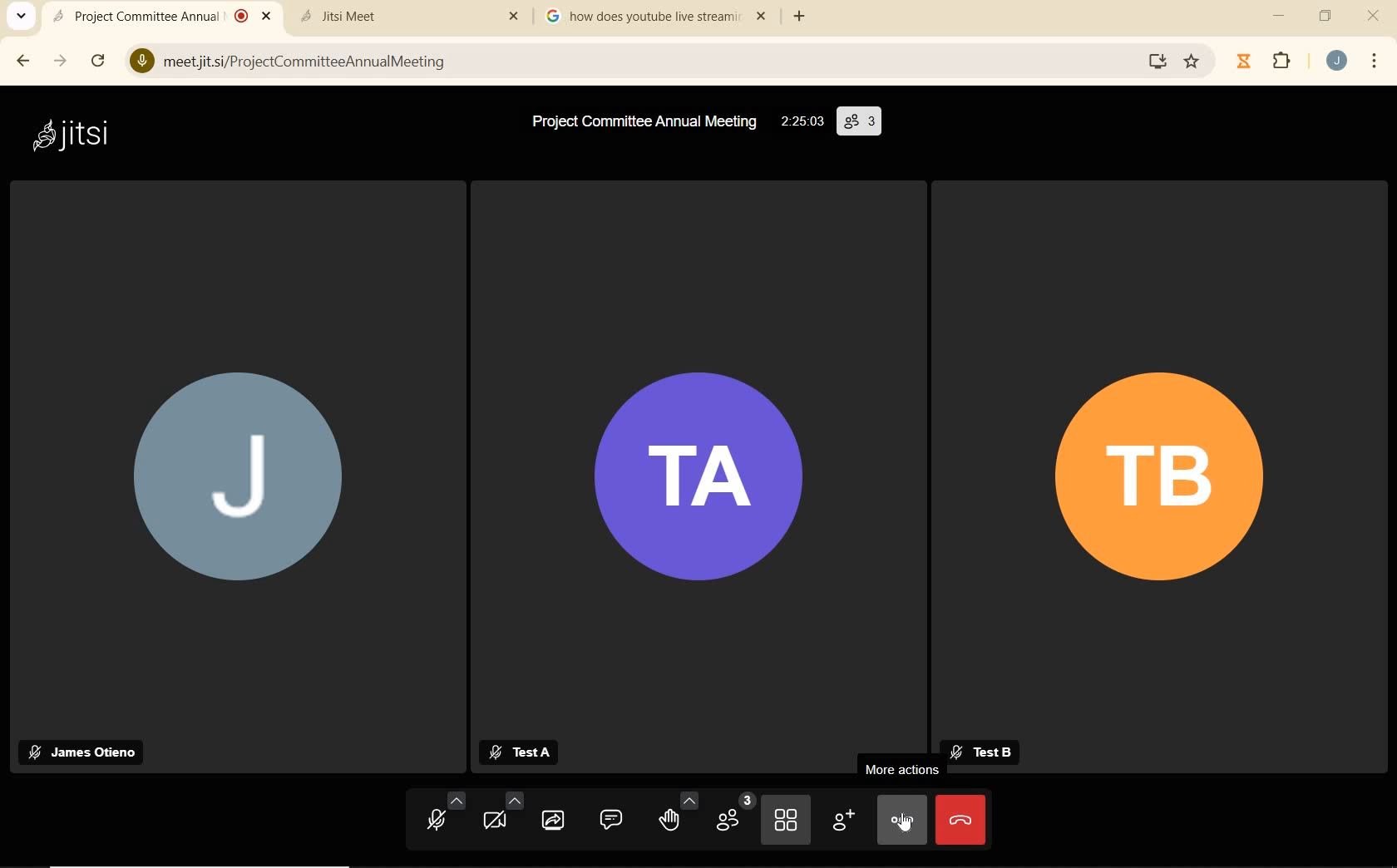 The width and height of the screenshot is (1397, 868). I want to click on reload, so click(103, 63).